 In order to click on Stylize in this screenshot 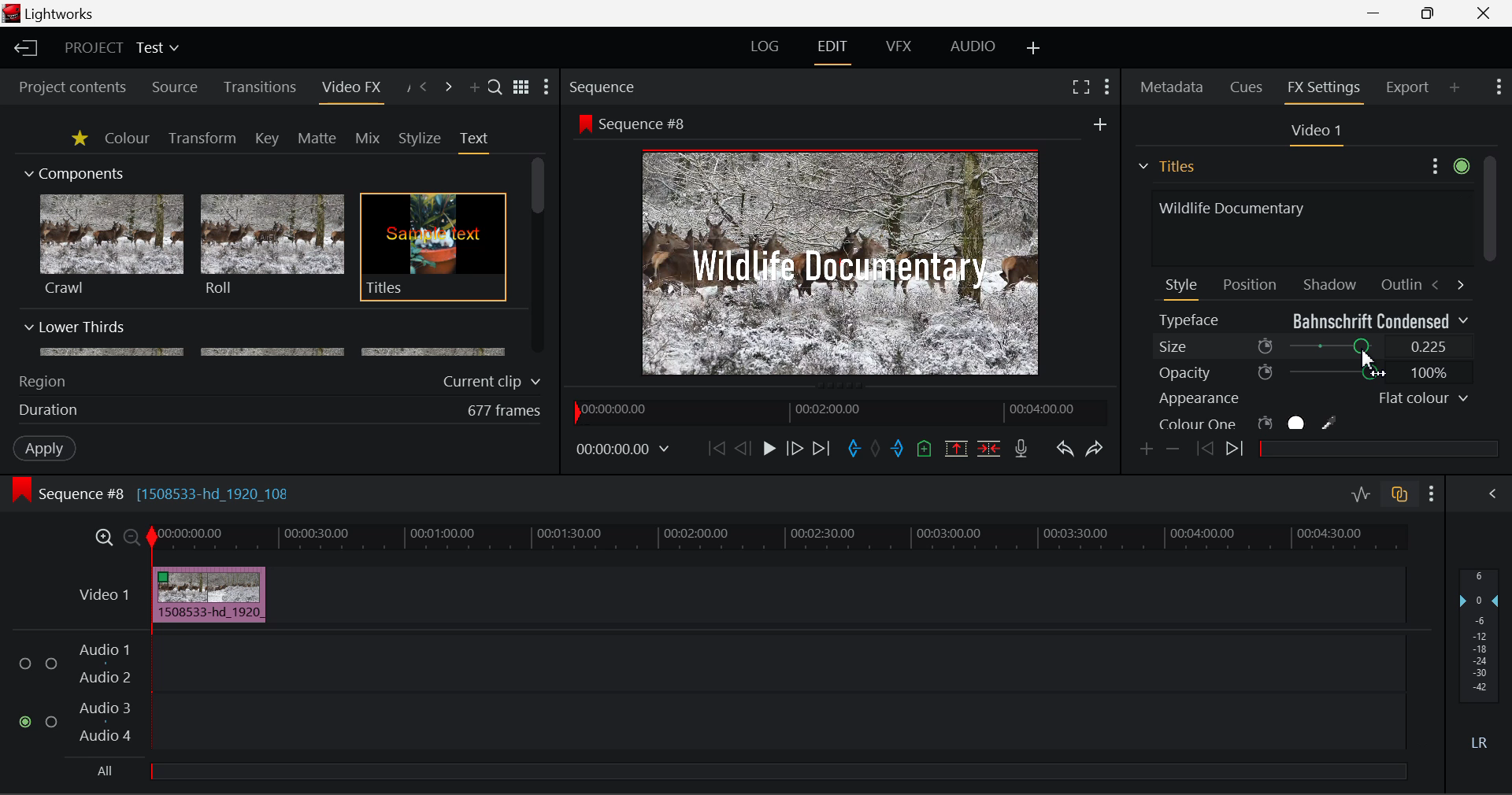, I will do `click(421, 139)`.